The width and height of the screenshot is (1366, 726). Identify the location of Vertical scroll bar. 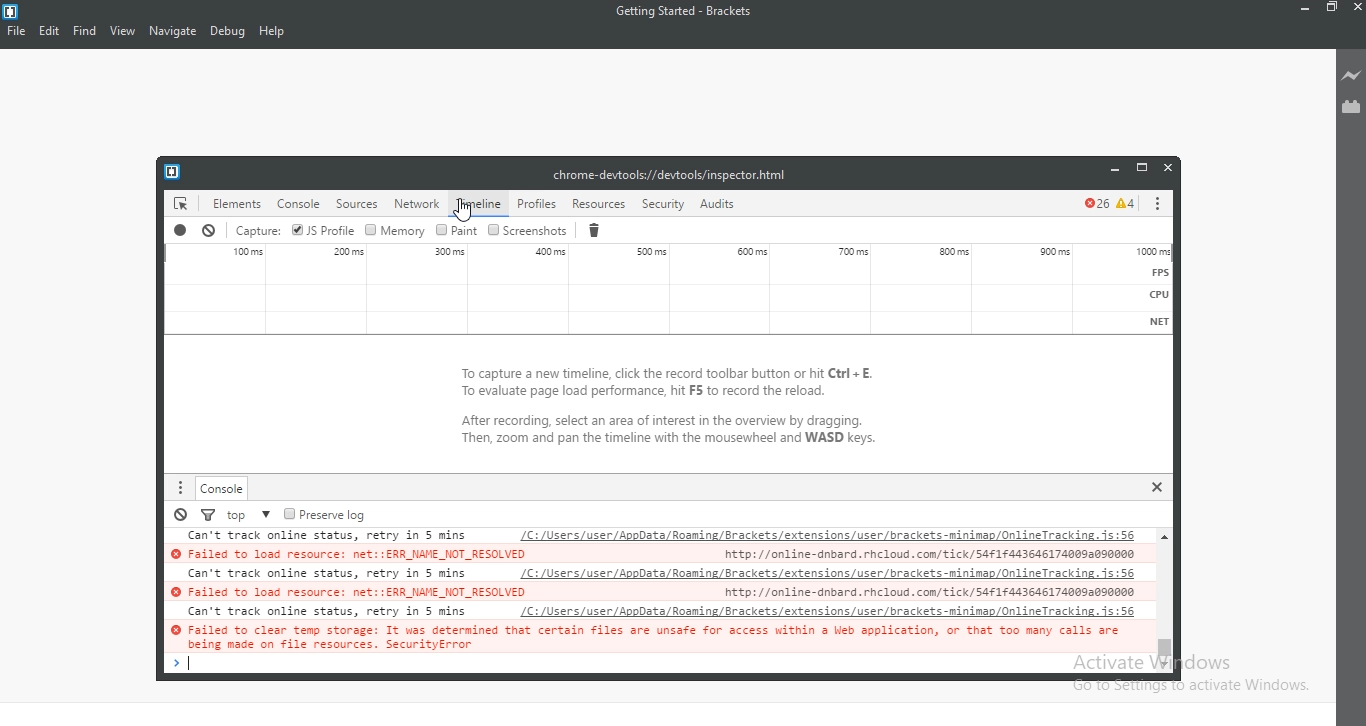
(1166, 597).